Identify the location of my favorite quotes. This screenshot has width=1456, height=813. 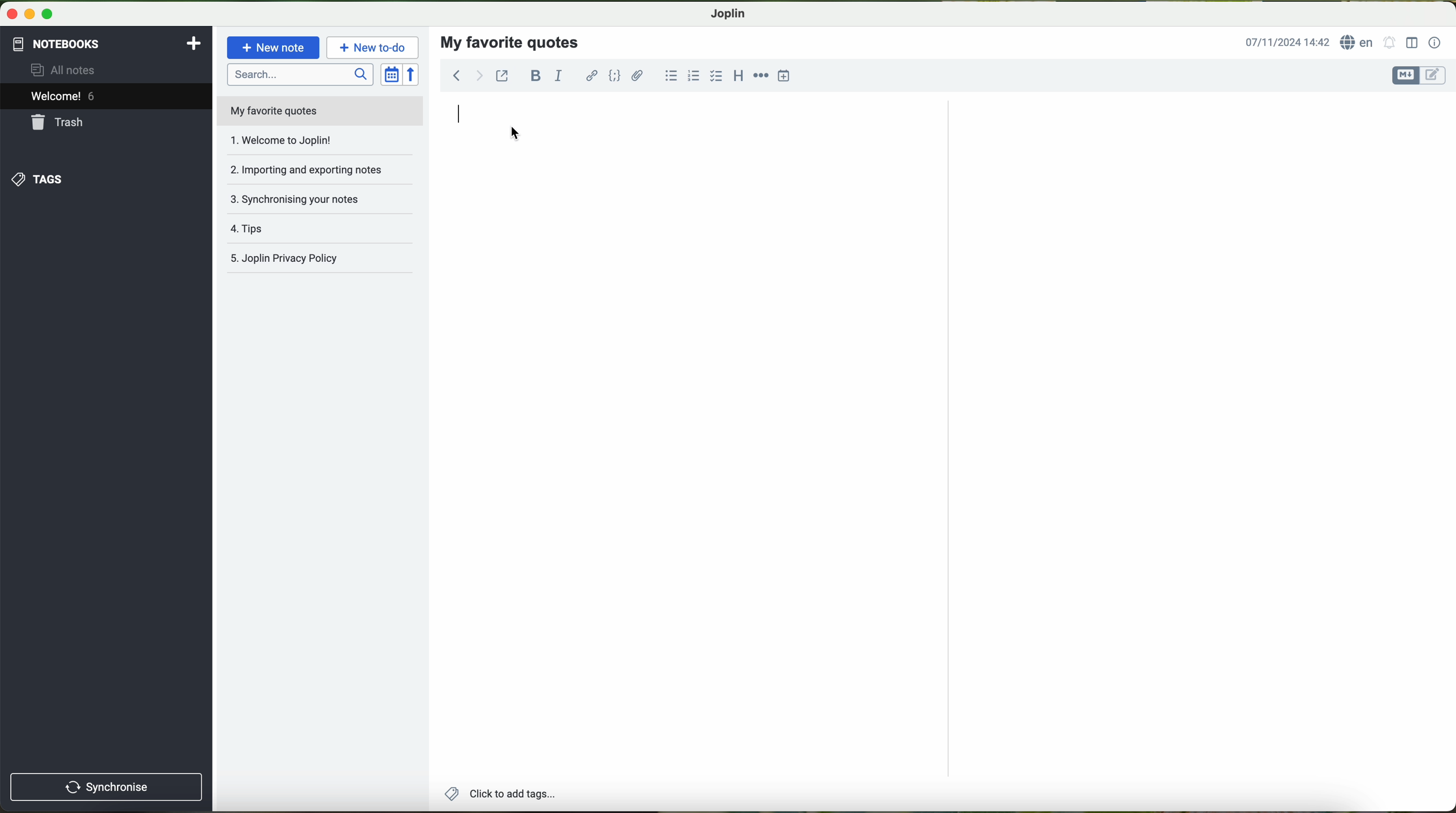
(510, 41).